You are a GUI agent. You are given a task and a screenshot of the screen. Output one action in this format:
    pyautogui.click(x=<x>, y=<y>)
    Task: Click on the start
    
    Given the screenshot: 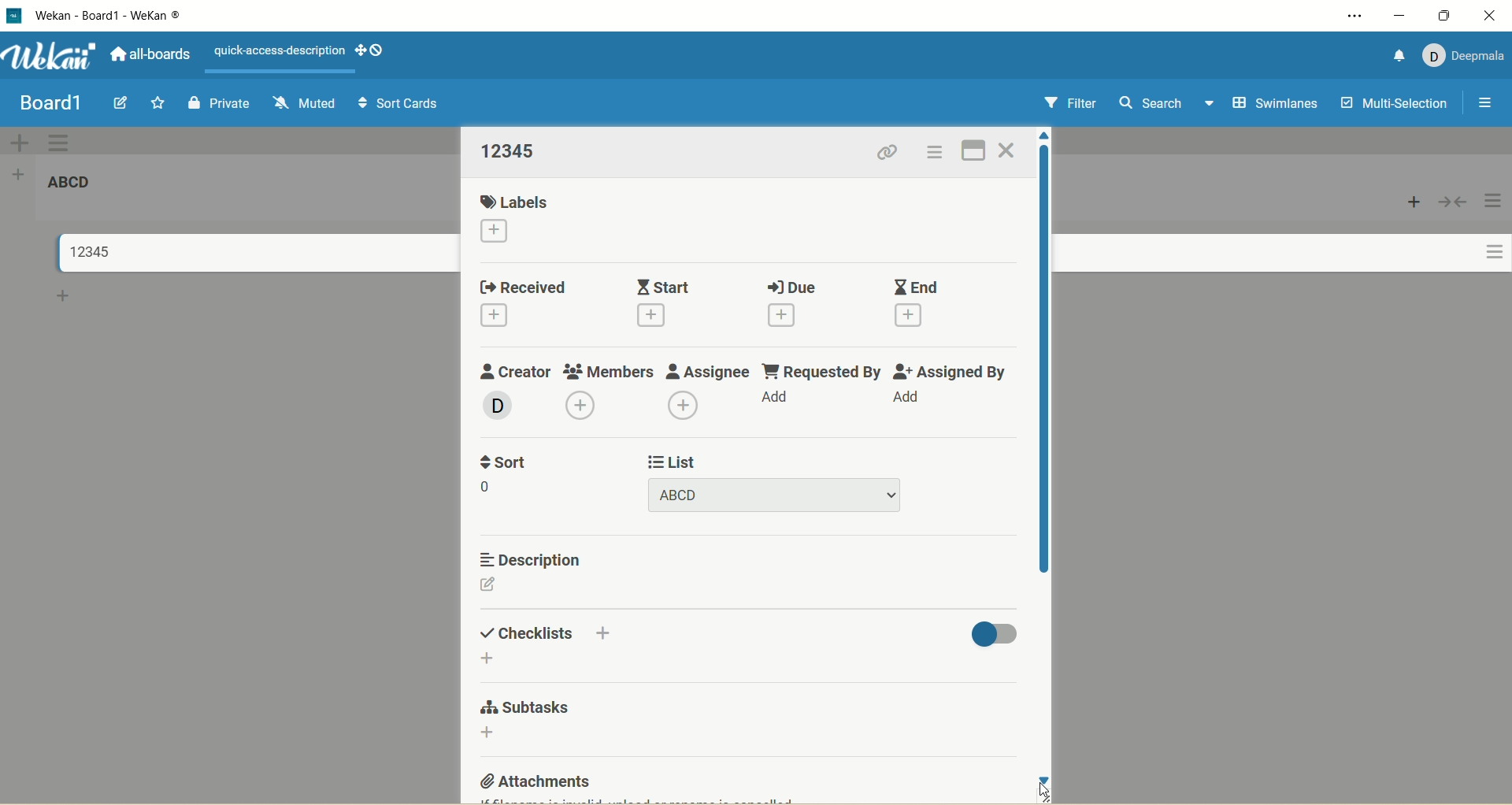 What is the action you would take?
    pyautogui.click(x=665, y=284)
    